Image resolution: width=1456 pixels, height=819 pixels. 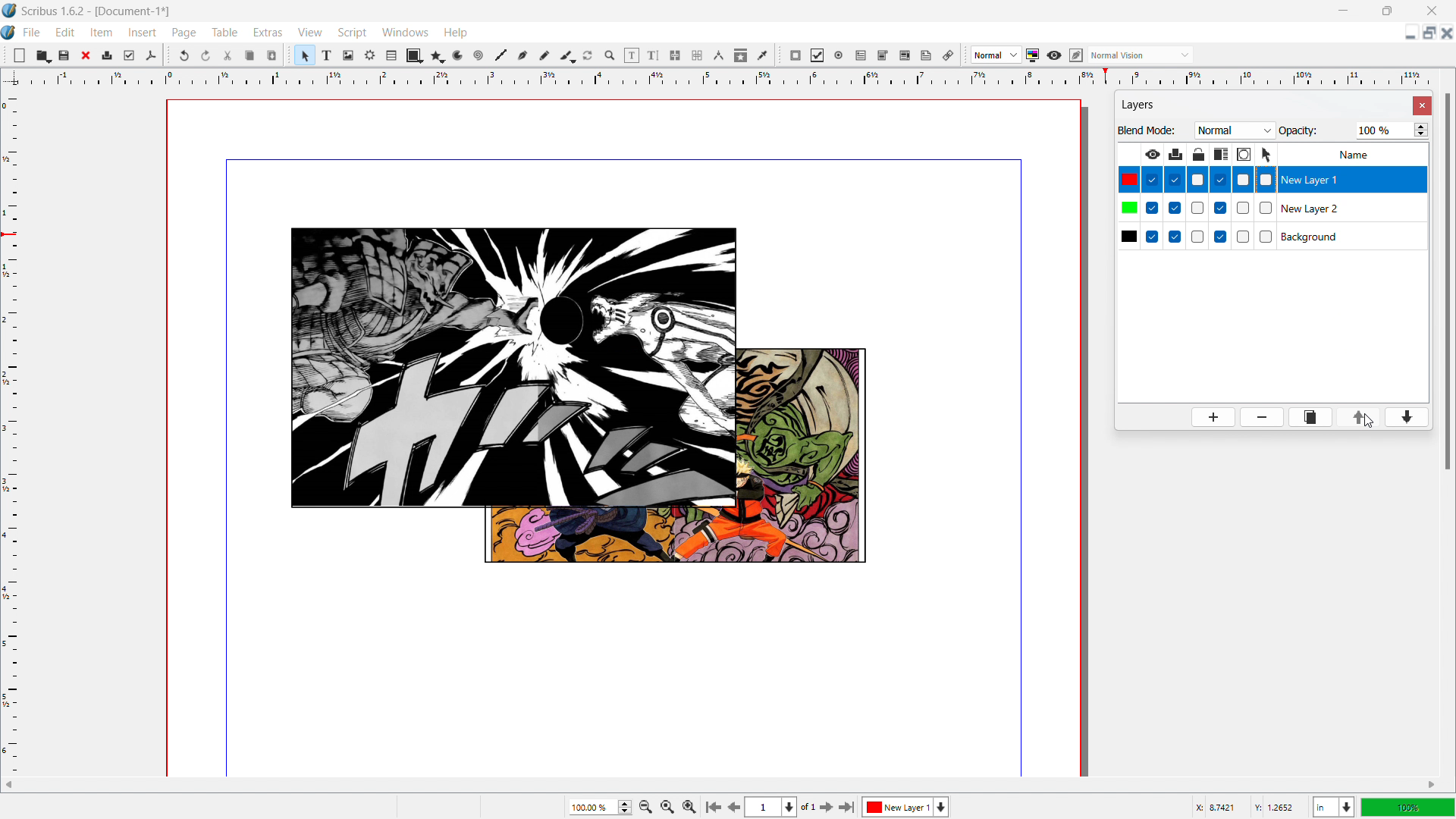 I want to click on pdf text field, so click(x=861, y=55).